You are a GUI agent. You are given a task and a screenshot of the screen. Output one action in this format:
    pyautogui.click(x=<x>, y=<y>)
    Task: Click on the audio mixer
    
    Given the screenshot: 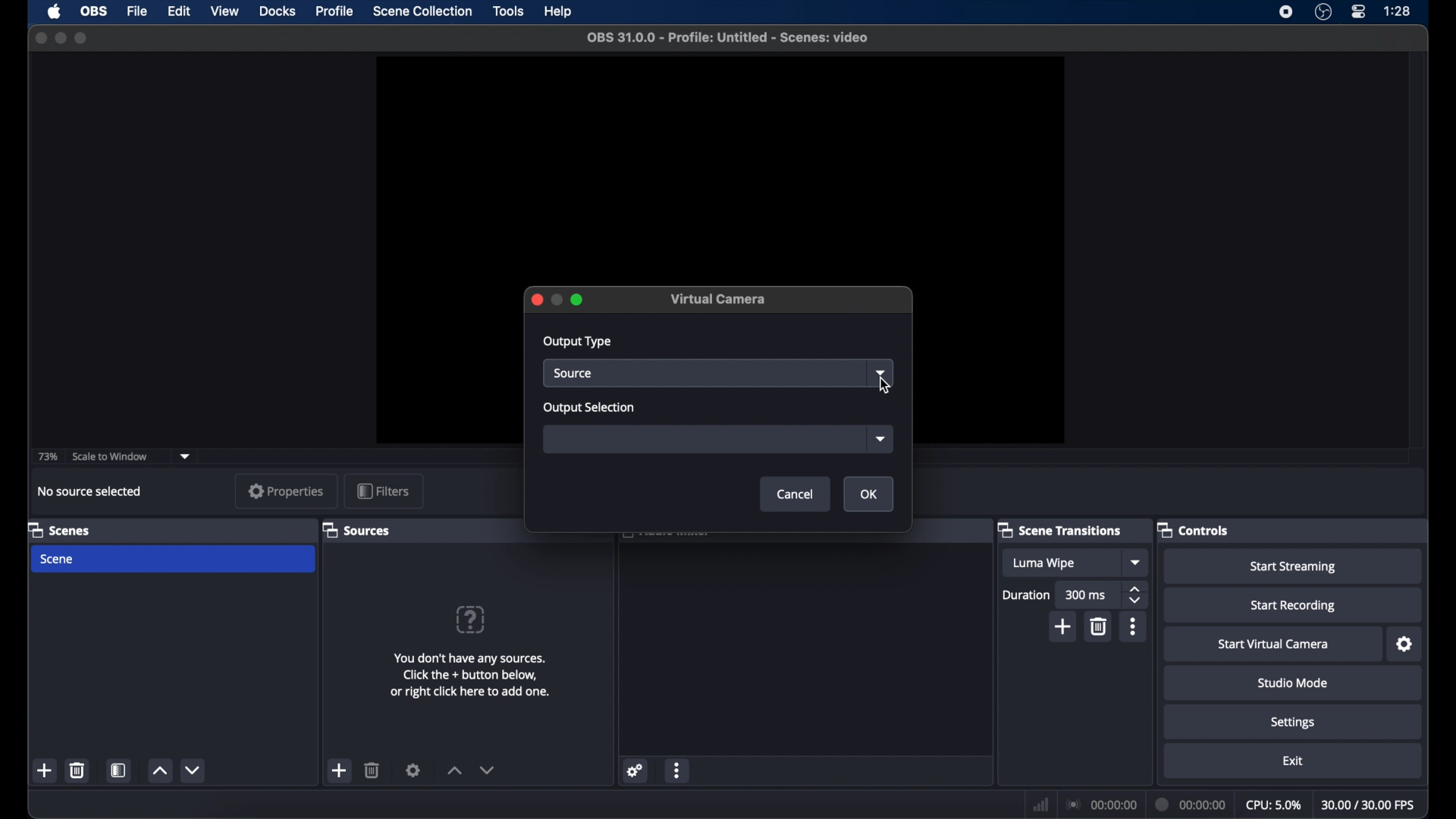 What is the action you would take?
    pyautogui.click(x=667, y=537)
    